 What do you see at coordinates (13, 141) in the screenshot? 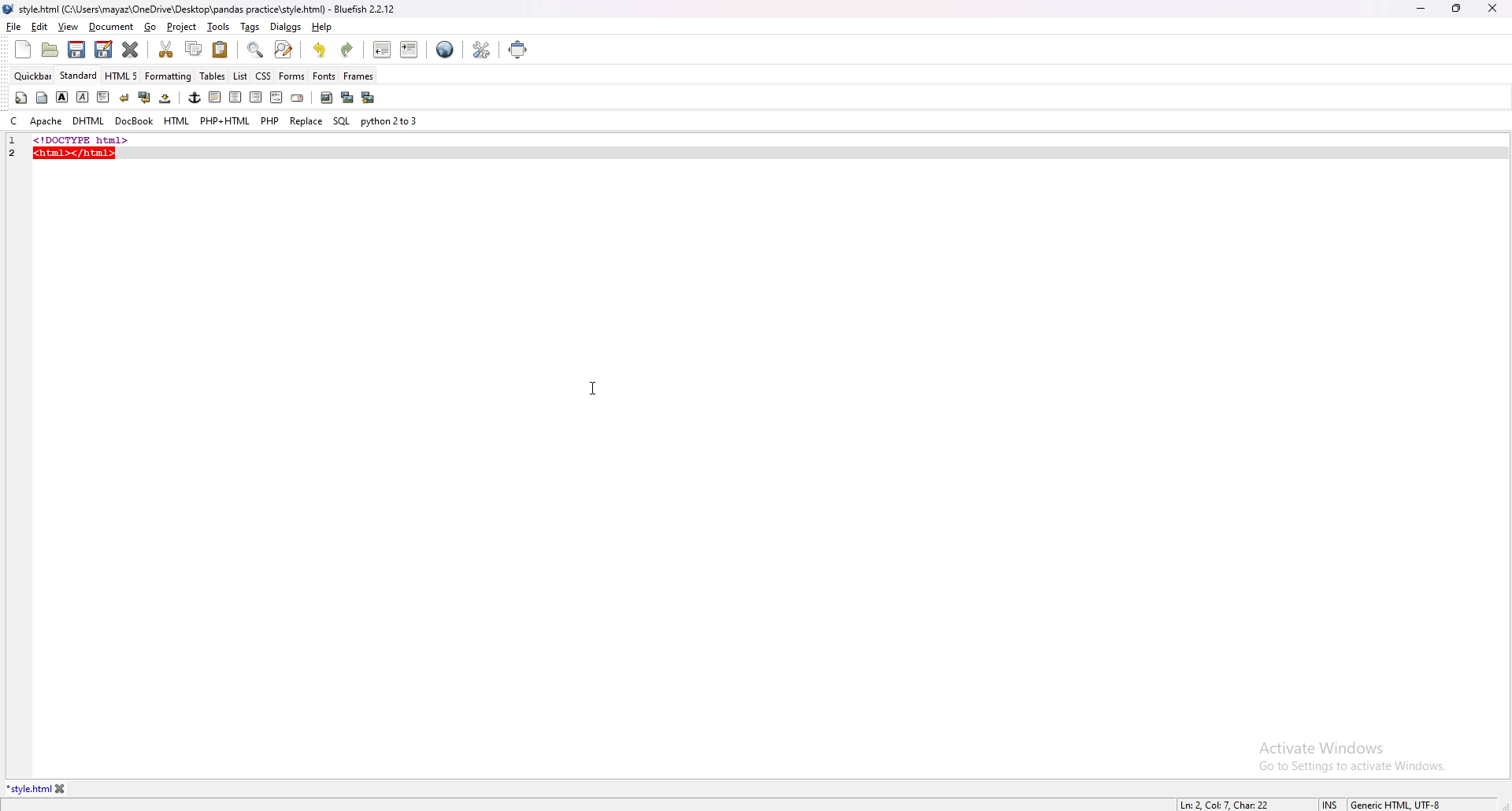
I see `line number` at bounding box center [13, 141].